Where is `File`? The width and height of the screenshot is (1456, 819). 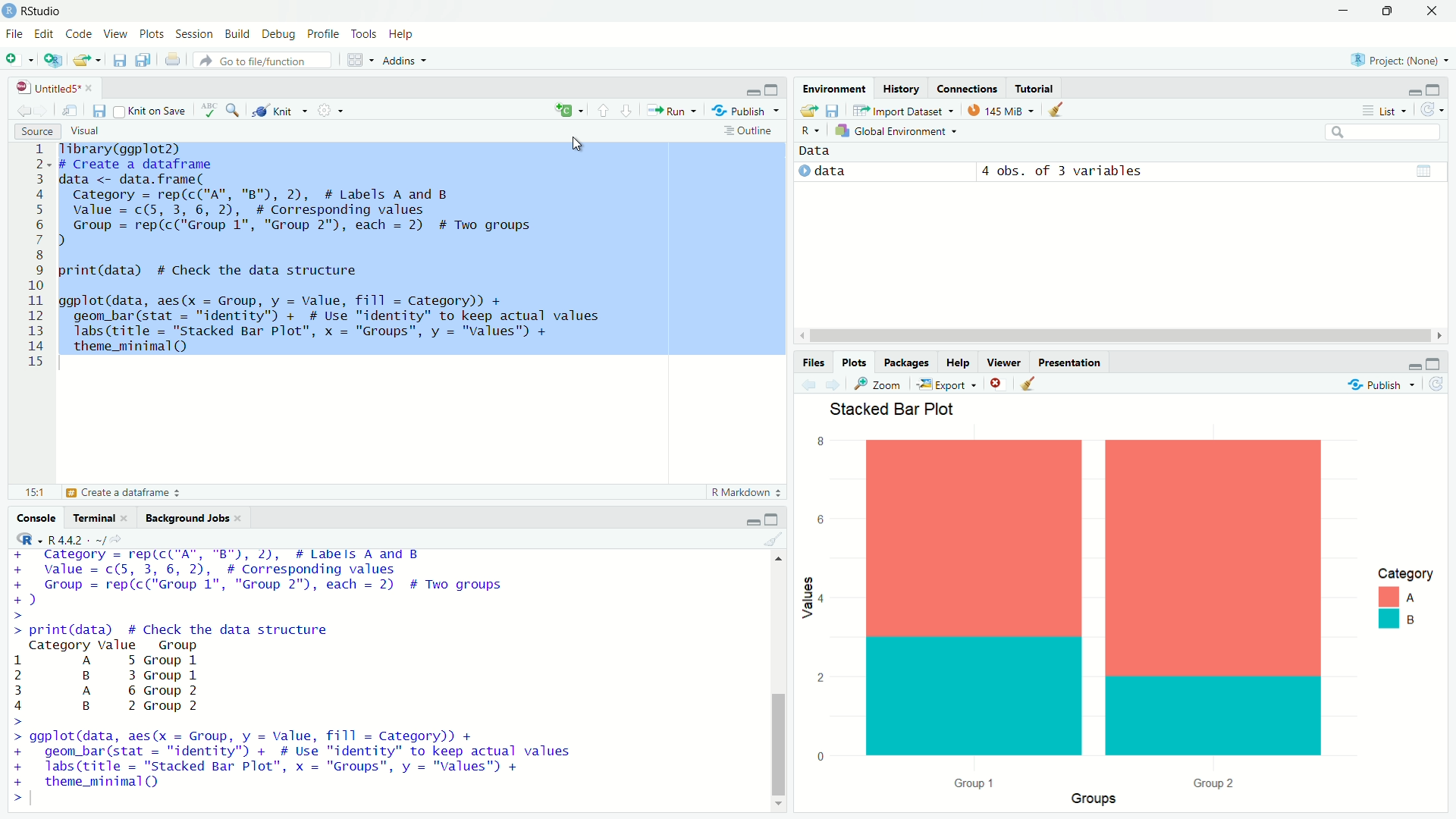 File is located at coordinates (16, 34).